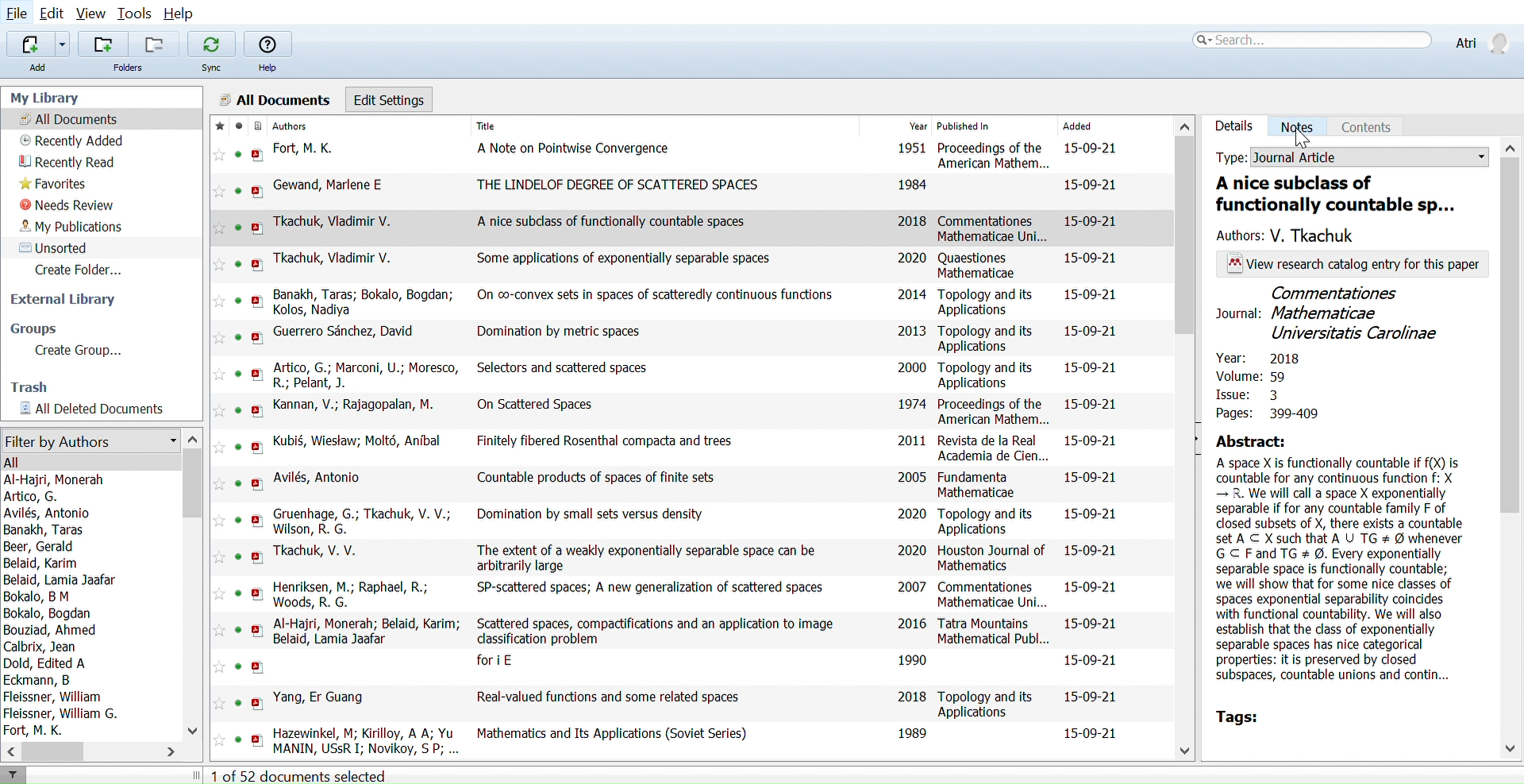  What do you see at coordinates (1480, 40) in the screenshot?
I see `Profile` at bounding box center [1480, 40].